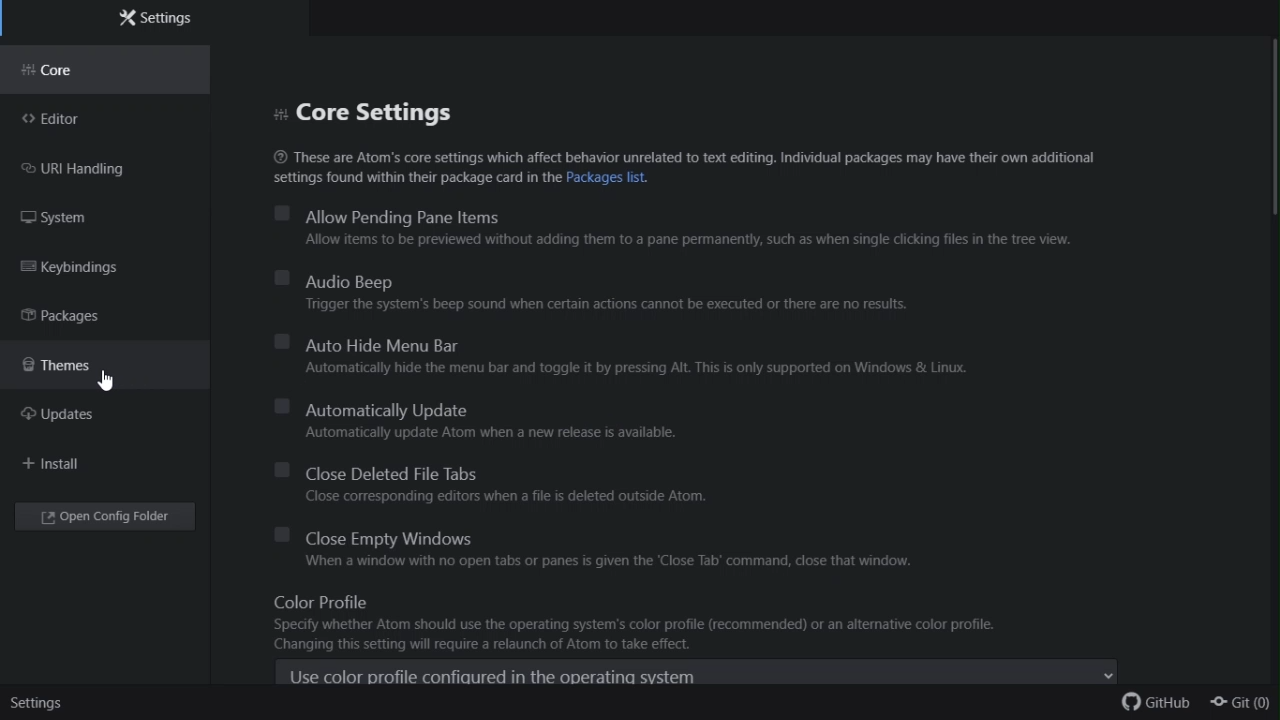 The height and width of the screenshot is (720, 1280). I want to click on Settings, so click(175, 17).